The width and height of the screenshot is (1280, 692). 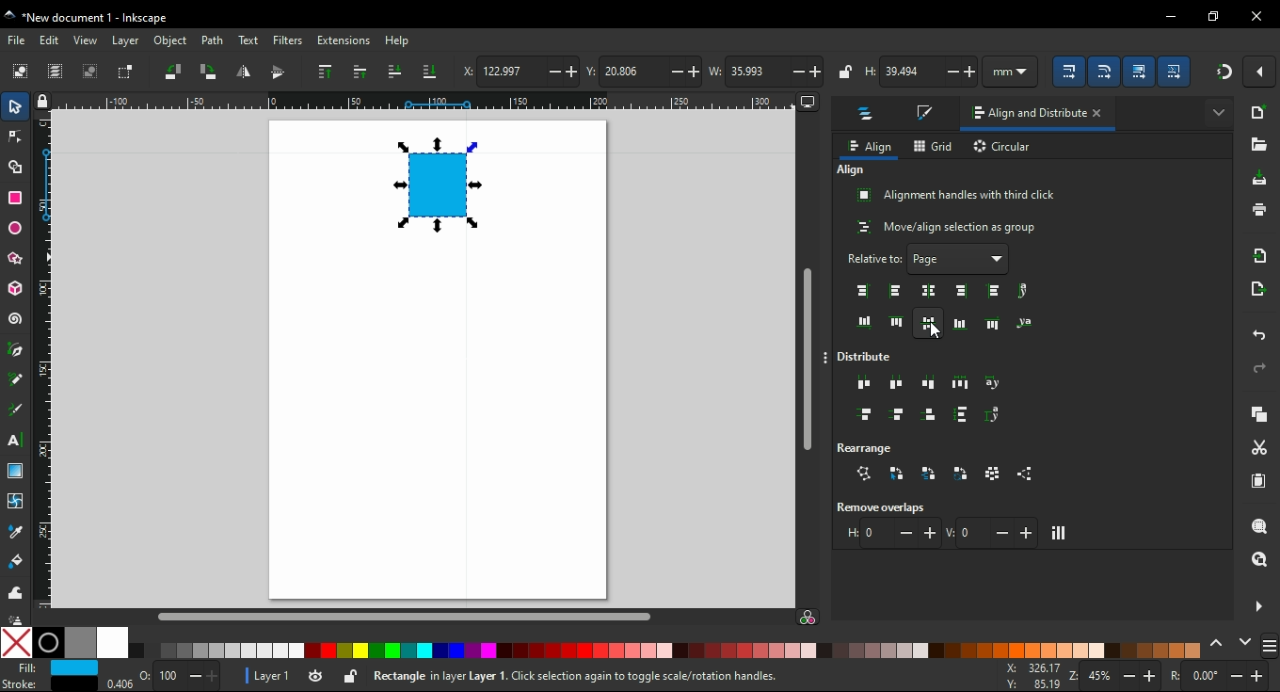 What do you see at coordinates (18, 440) in the screenshot?
I see `text tool` at bounding box center [18, 440].